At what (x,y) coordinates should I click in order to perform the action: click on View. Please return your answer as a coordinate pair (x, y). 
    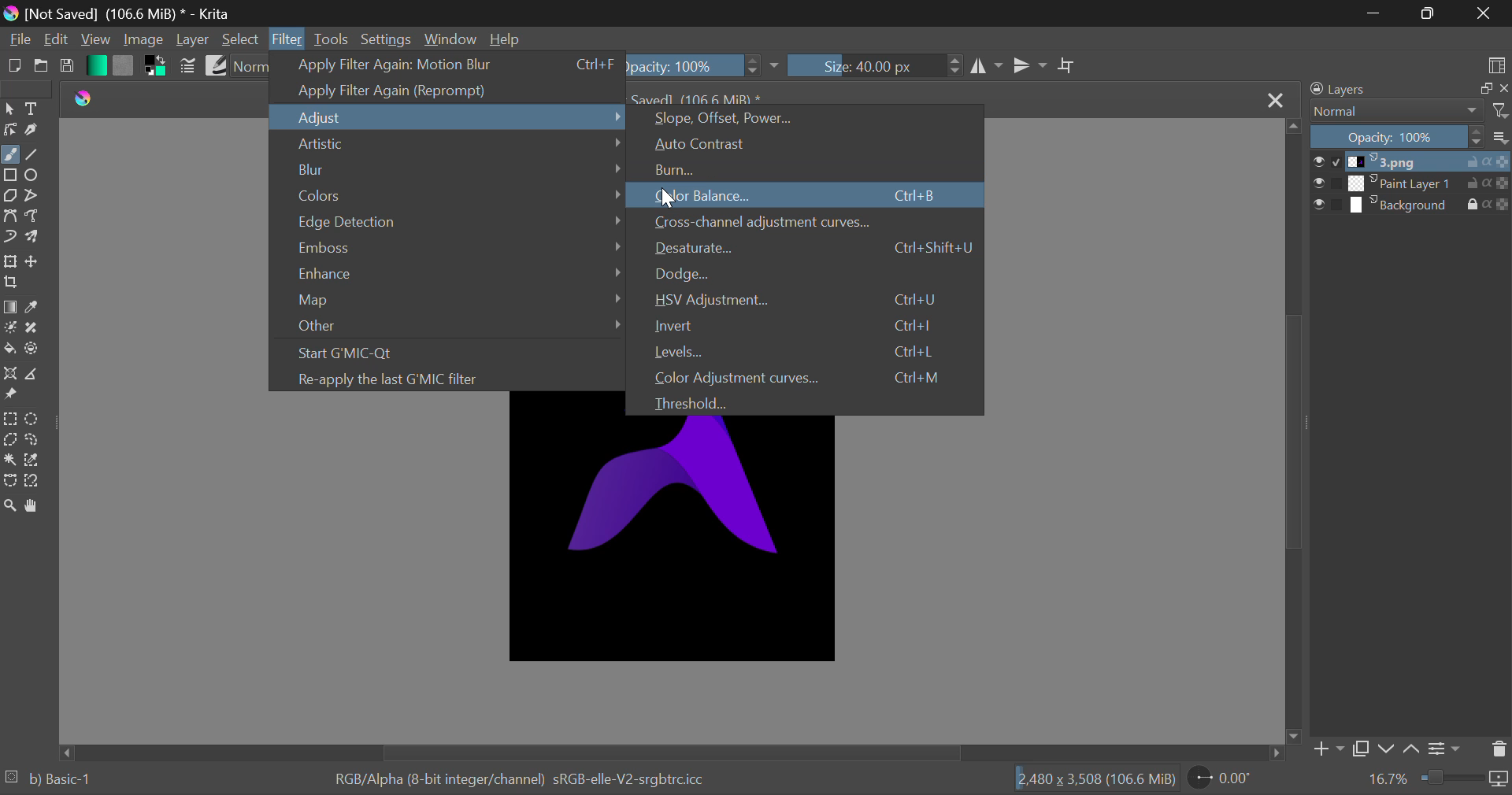
    Looking at the image, I should click on (95, 41).